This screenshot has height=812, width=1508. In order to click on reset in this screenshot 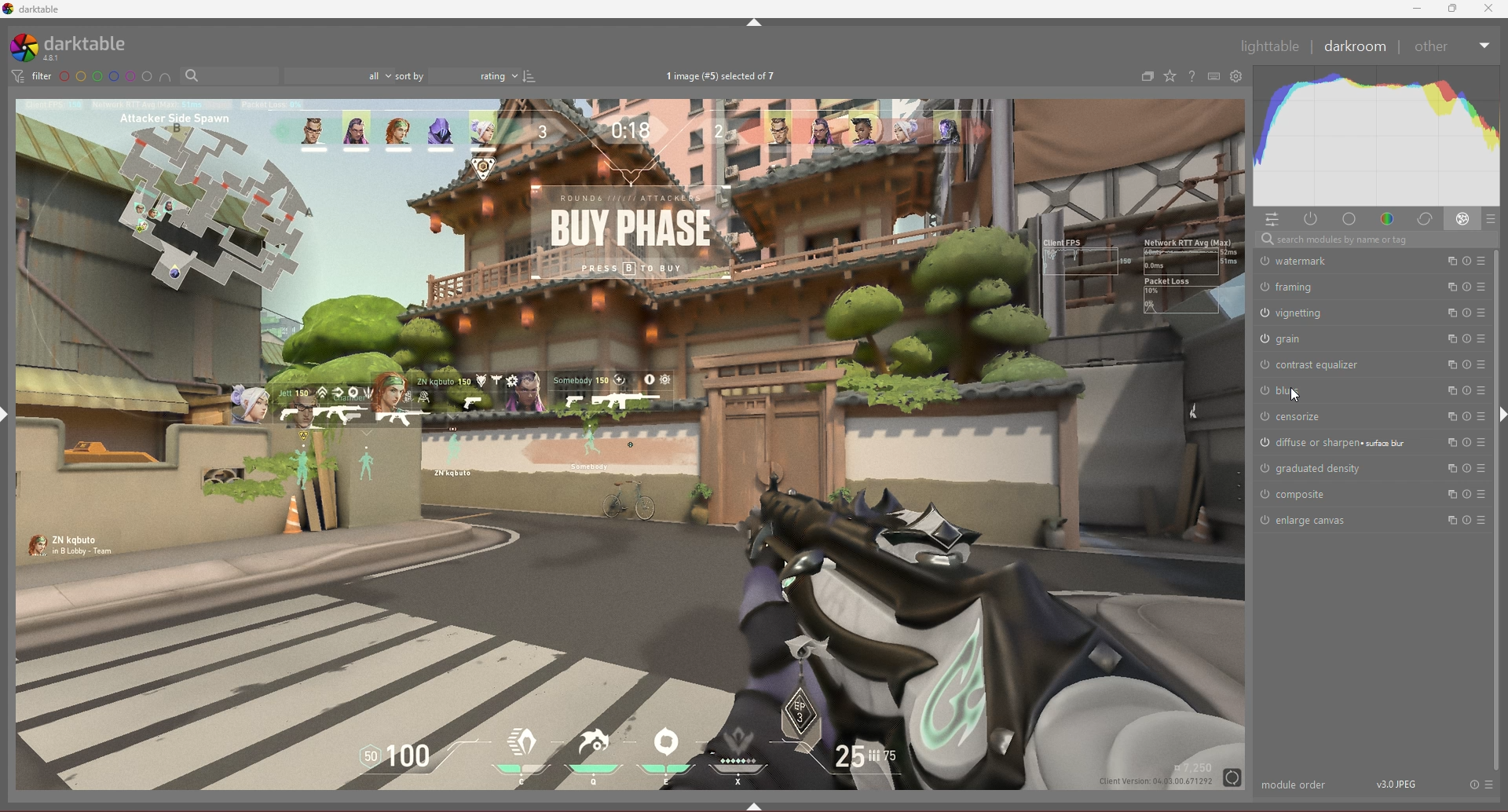, I will do `click(1474, 784)`.